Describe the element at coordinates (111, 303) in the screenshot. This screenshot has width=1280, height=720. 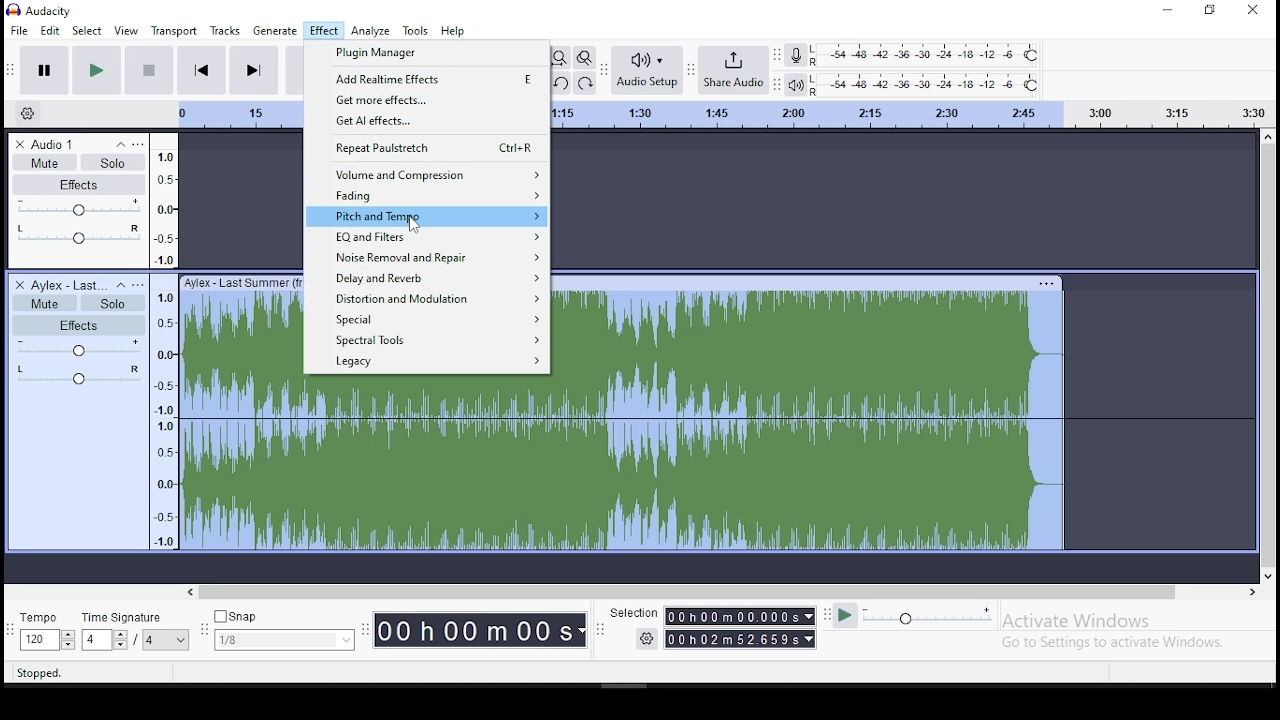
I see `solo` at that location.